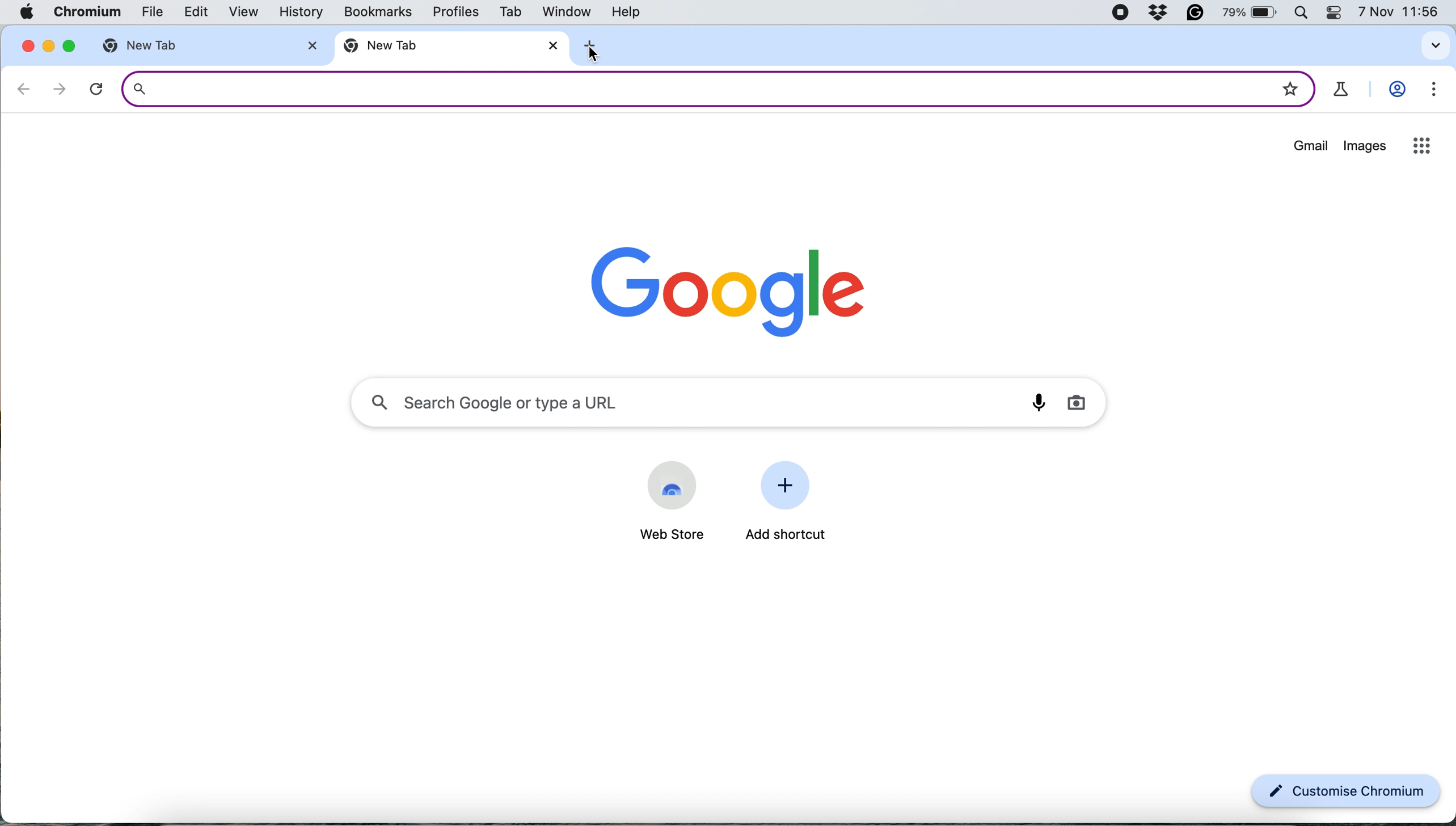 The width and height of the screenshot is (1456, 826). What do you see at coordinates (600, 46) in the screenshot?
I see `new tab` at bounding box center [600, 46].